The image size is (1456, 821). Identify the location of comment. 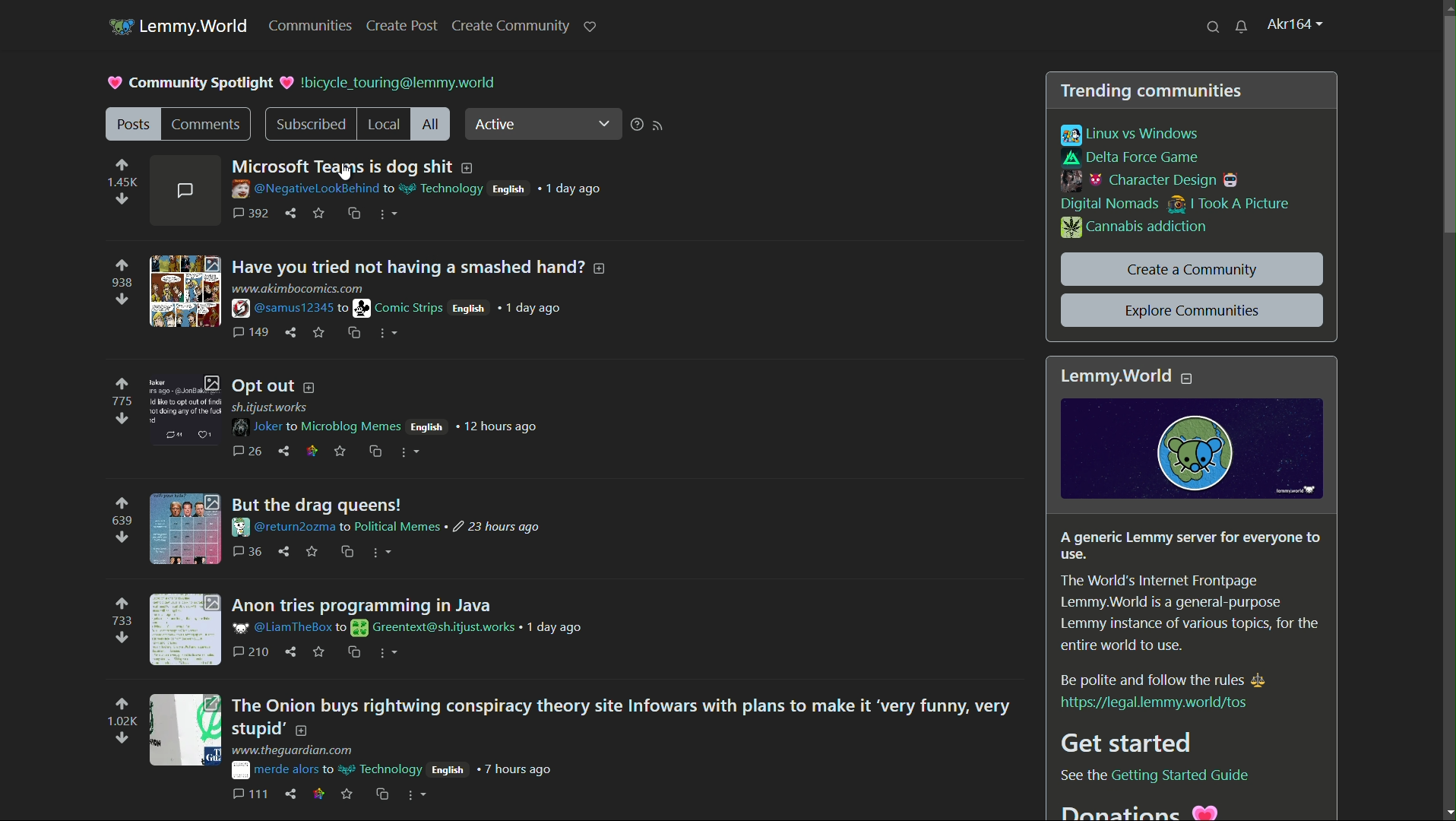
(251, 331).